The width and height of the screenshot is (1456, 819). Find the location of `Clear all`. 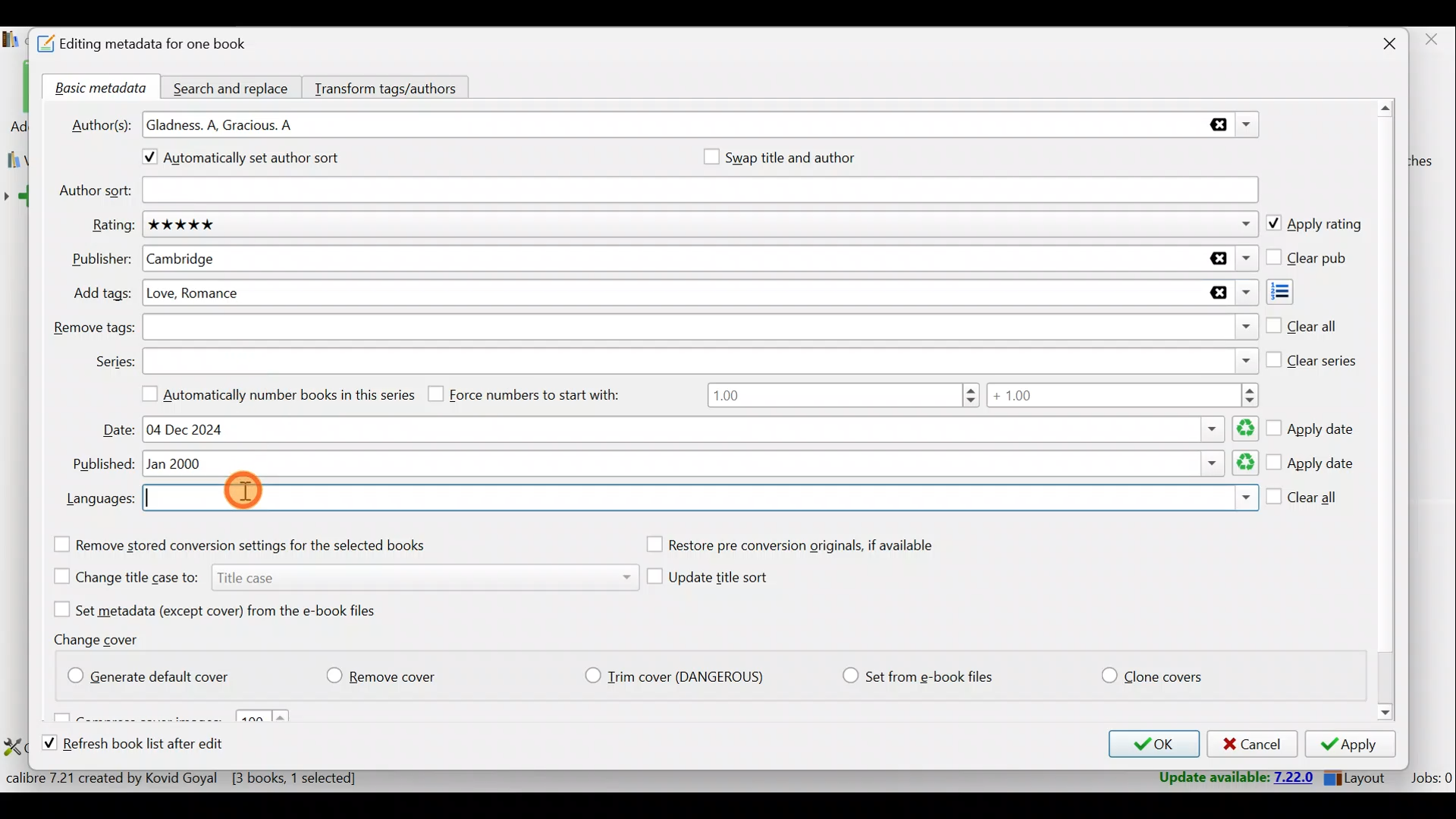

Clear all is located at coordinates (1304, 500).